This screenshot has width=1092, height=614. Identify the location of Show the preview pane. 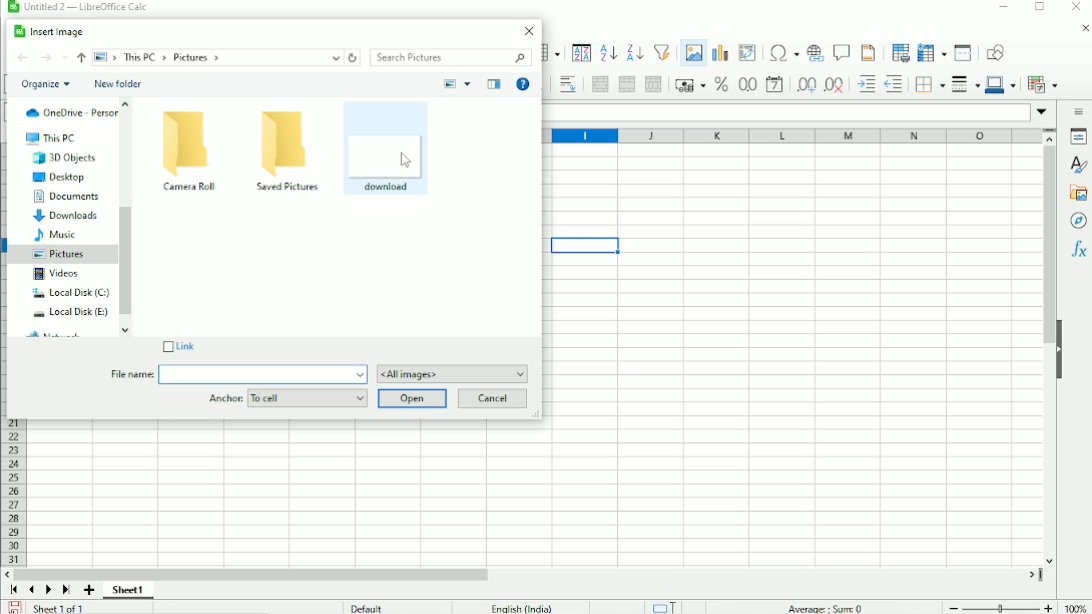
(494, 83).